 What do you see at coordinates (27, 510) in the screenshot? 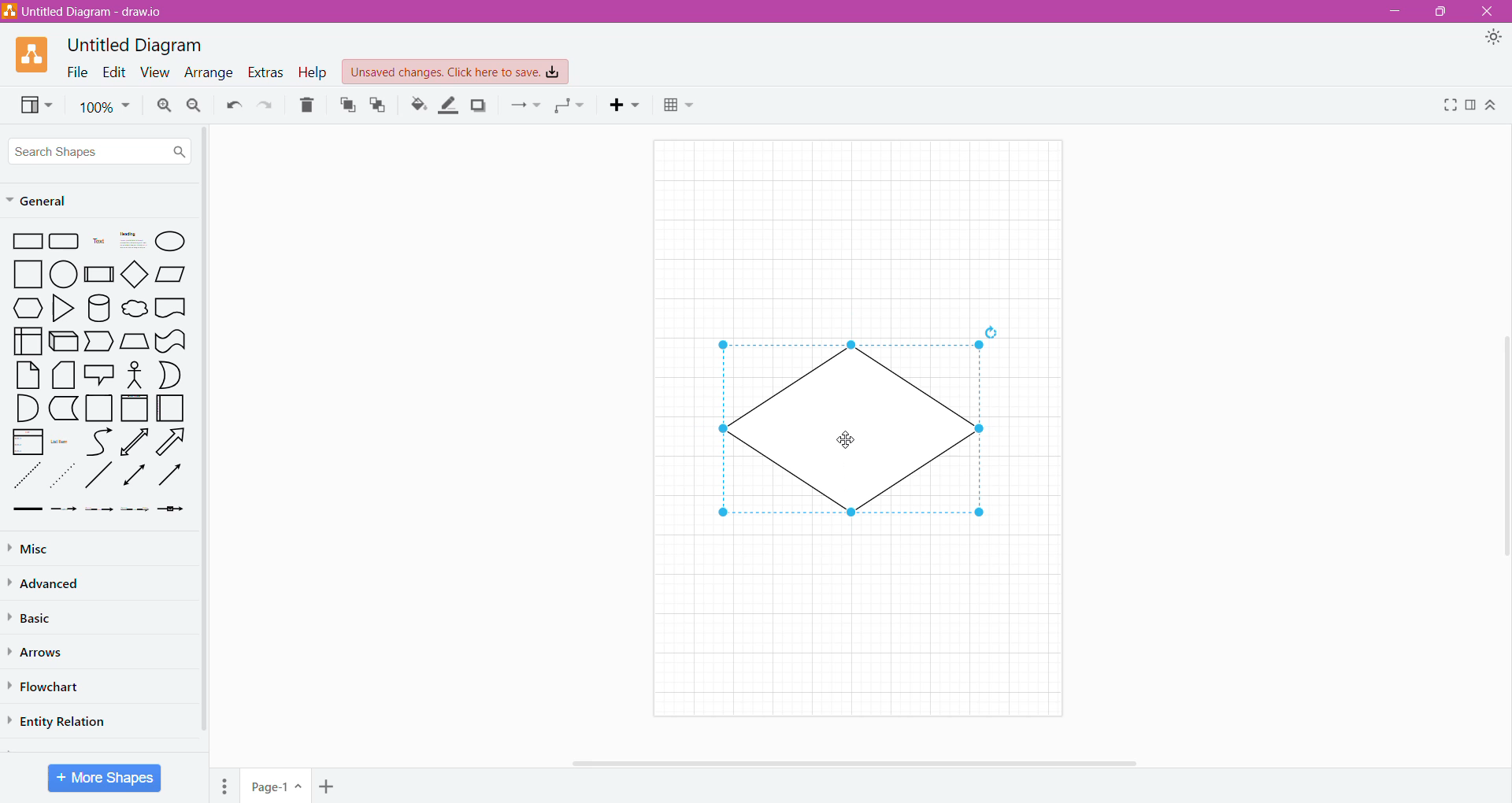
I see `Link` at bounding box center [27, 510].